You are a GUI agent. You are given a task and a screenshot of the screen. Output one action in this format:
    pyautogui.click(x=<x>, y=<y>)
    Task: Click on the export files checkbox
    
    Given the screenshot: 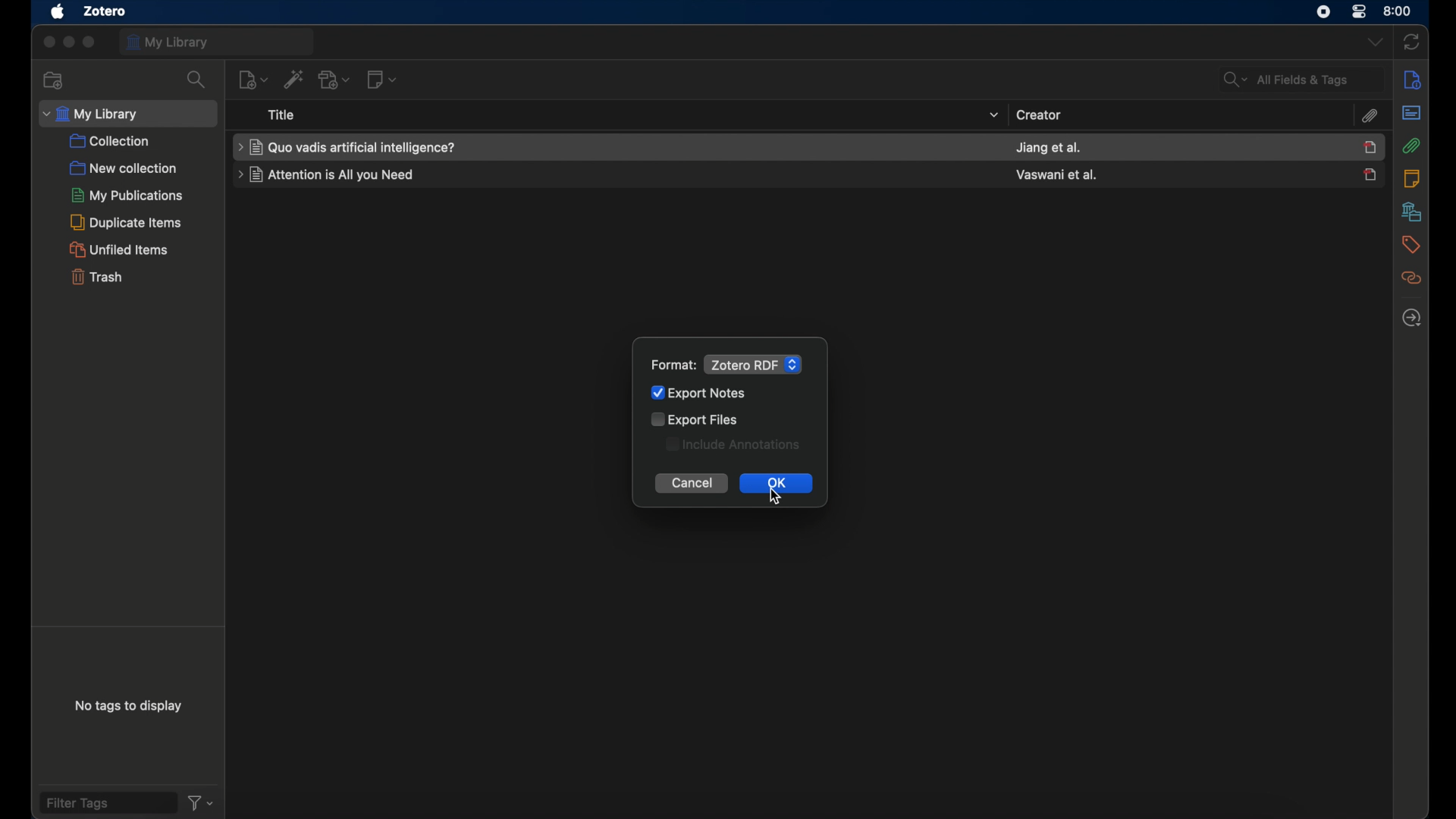 What is the action you would take?
    pyautogui.click(x=697, y=419)
    